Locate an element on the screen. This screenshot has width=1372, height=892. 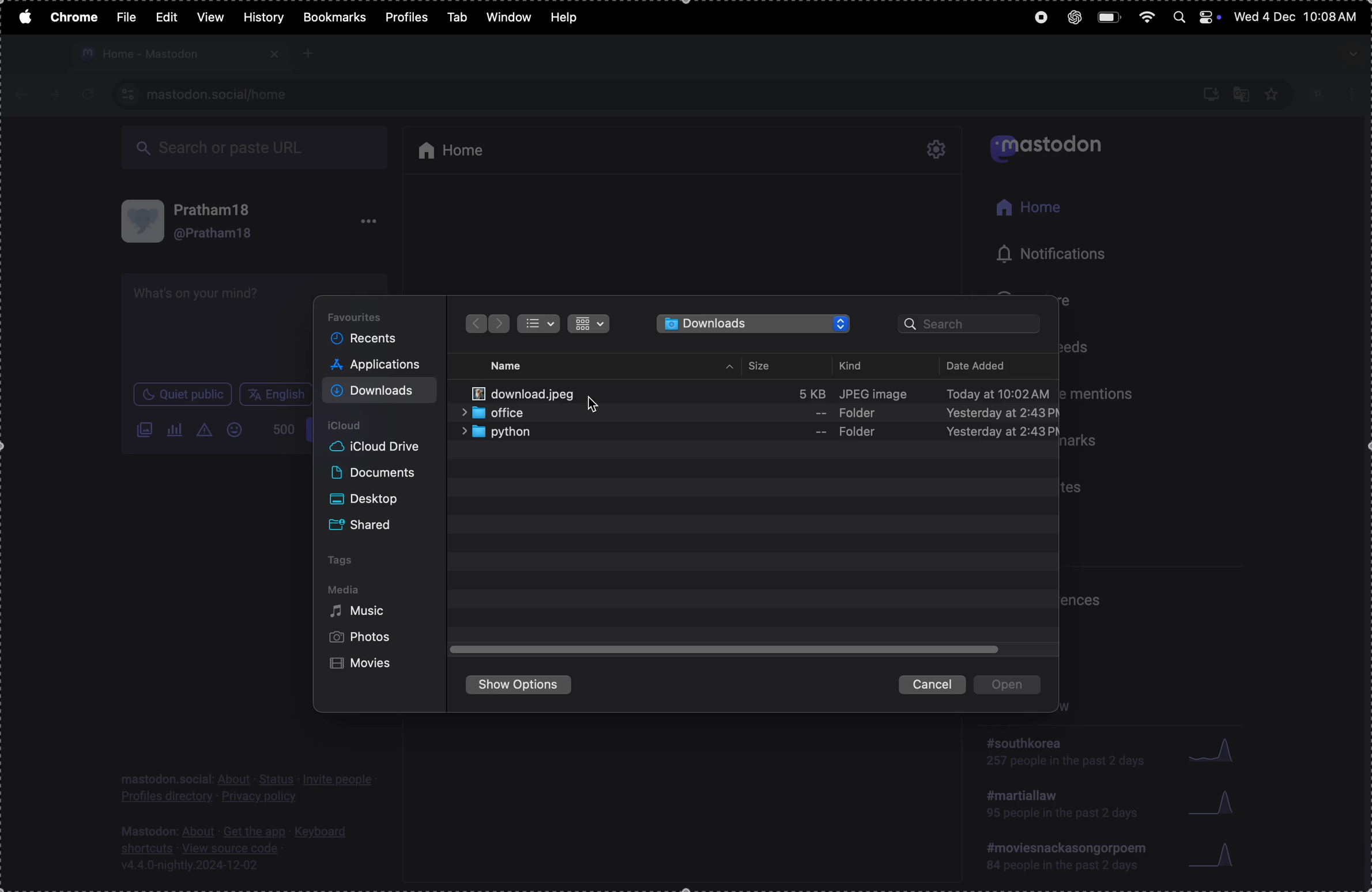
quiet place is located at coordinates (183, 396).